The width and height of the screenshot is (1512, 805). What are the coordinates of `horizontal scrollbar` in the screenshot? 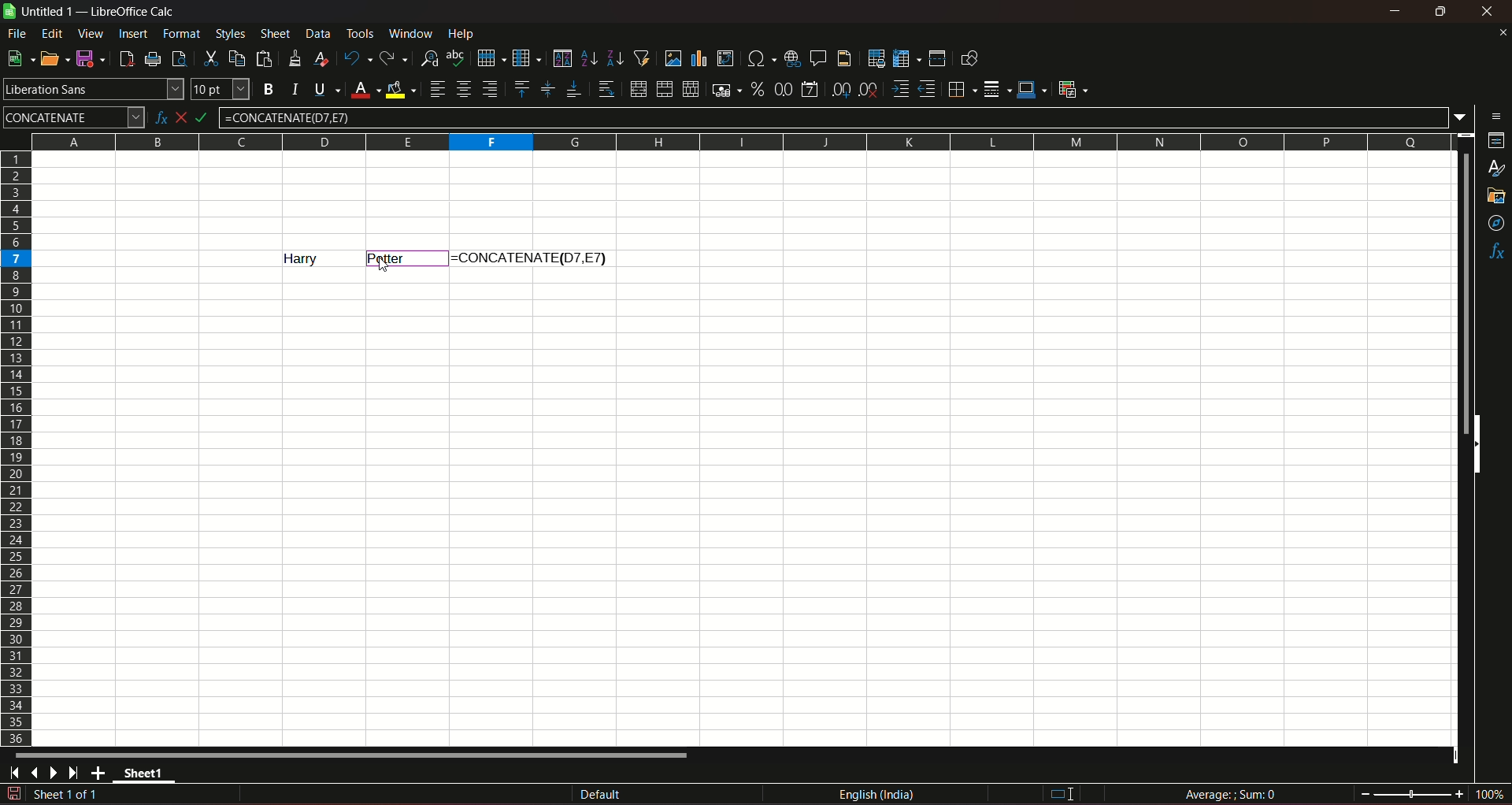 It's located at (353, 755).